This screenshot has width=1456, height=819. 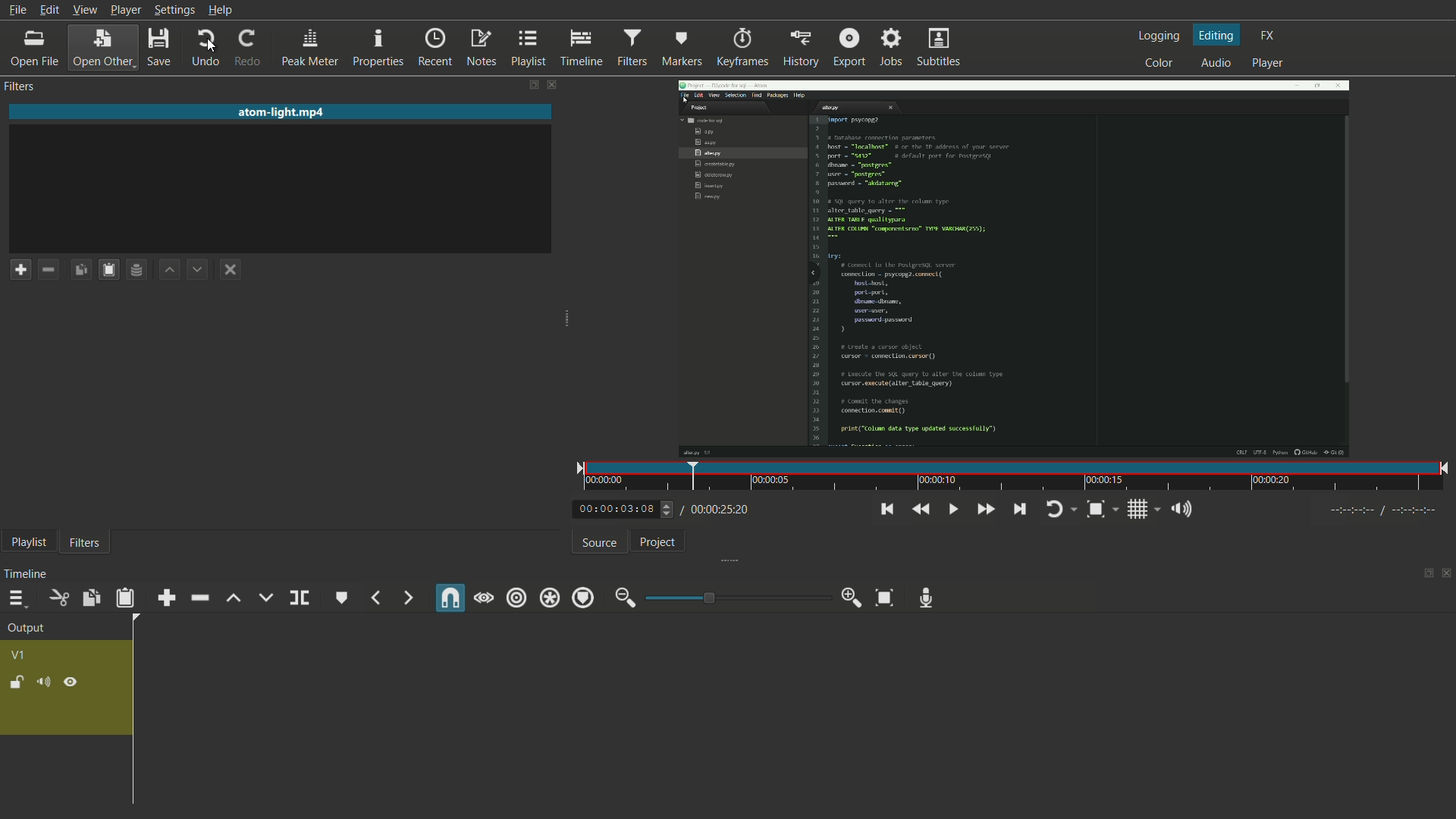 What do you see at coordinates (81, 11) in the screenshot?
I see `View` at bounding box center [81, 11].